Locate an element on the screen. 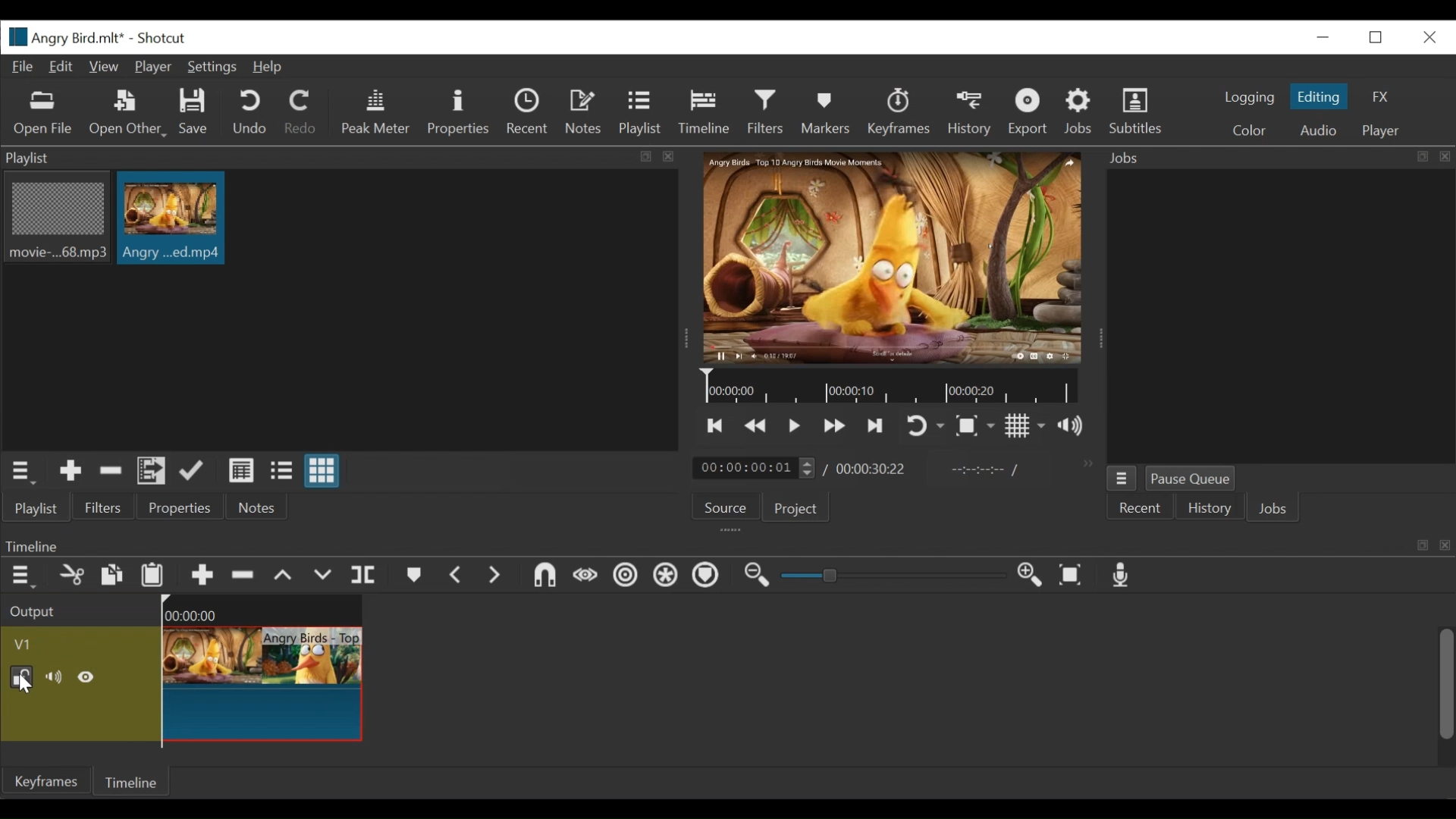  Subtitles is located at coordinates (1140, 115).